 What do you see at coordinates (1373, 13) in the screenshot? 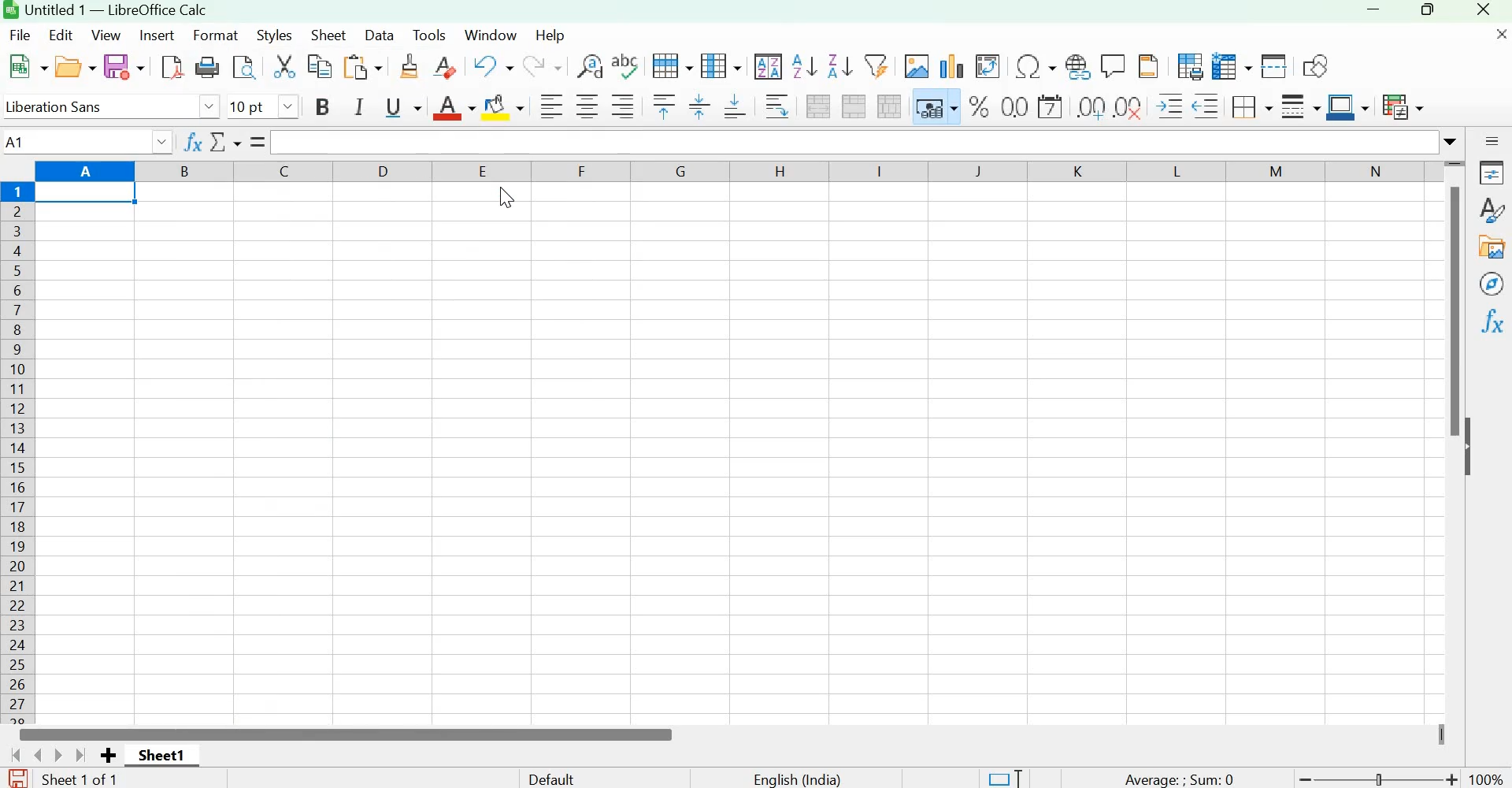
I see `Minimize` at bounding box center [1373, 13].